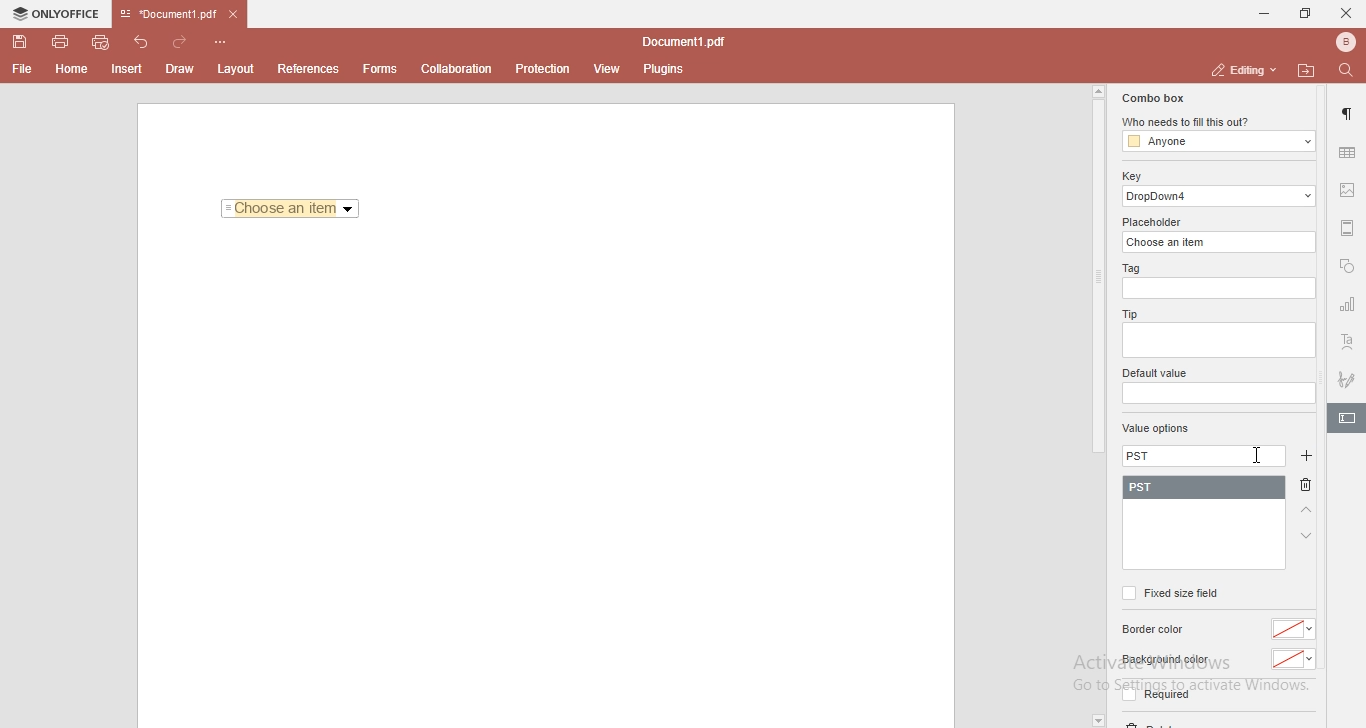 Image resolution: width=1366 pixels, height=728 pixels. I want to click on tip, so click(1127, 313).